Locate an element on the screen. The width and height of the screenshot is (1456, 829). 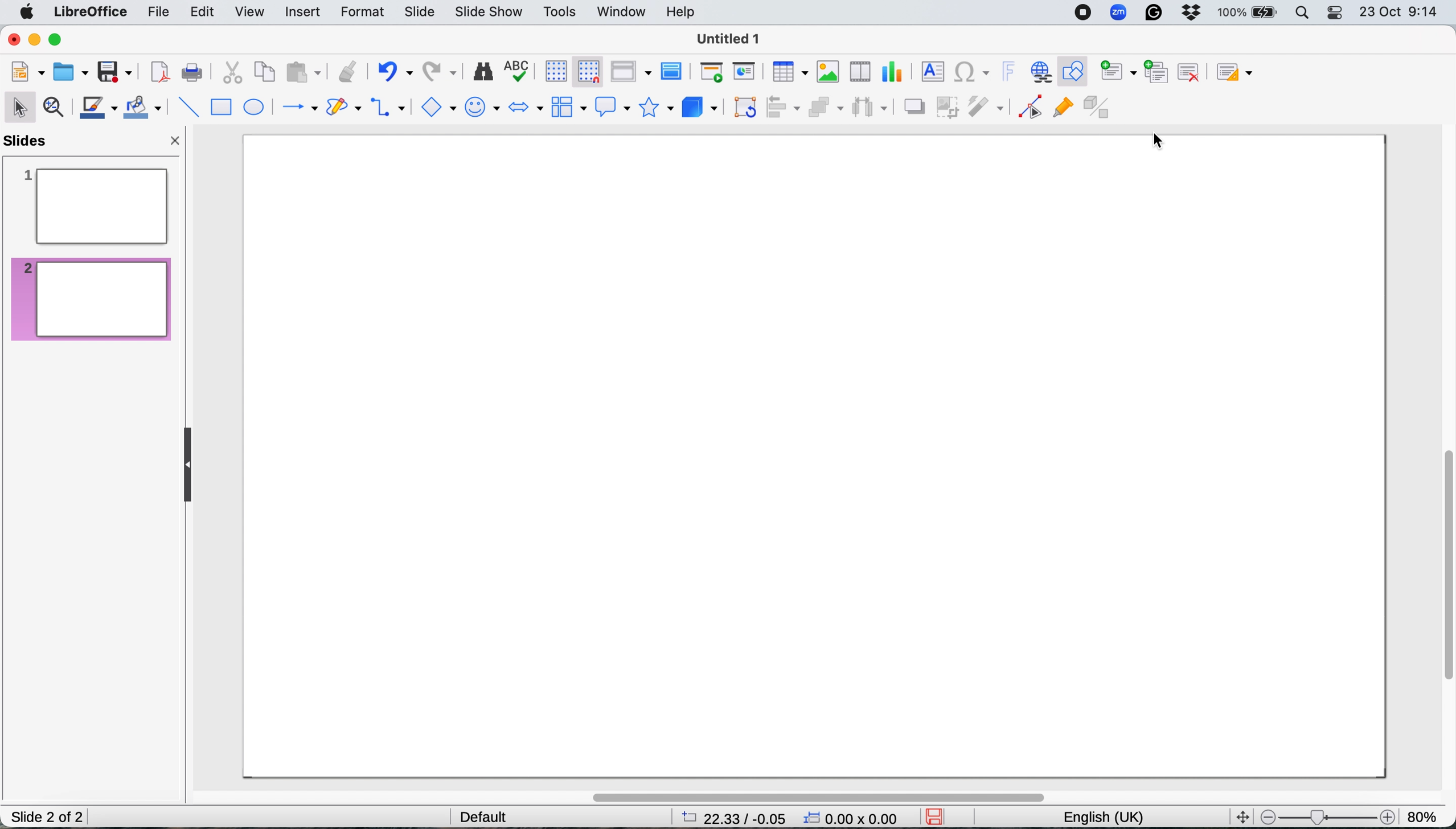
file name is located at coordinates (730, 39).